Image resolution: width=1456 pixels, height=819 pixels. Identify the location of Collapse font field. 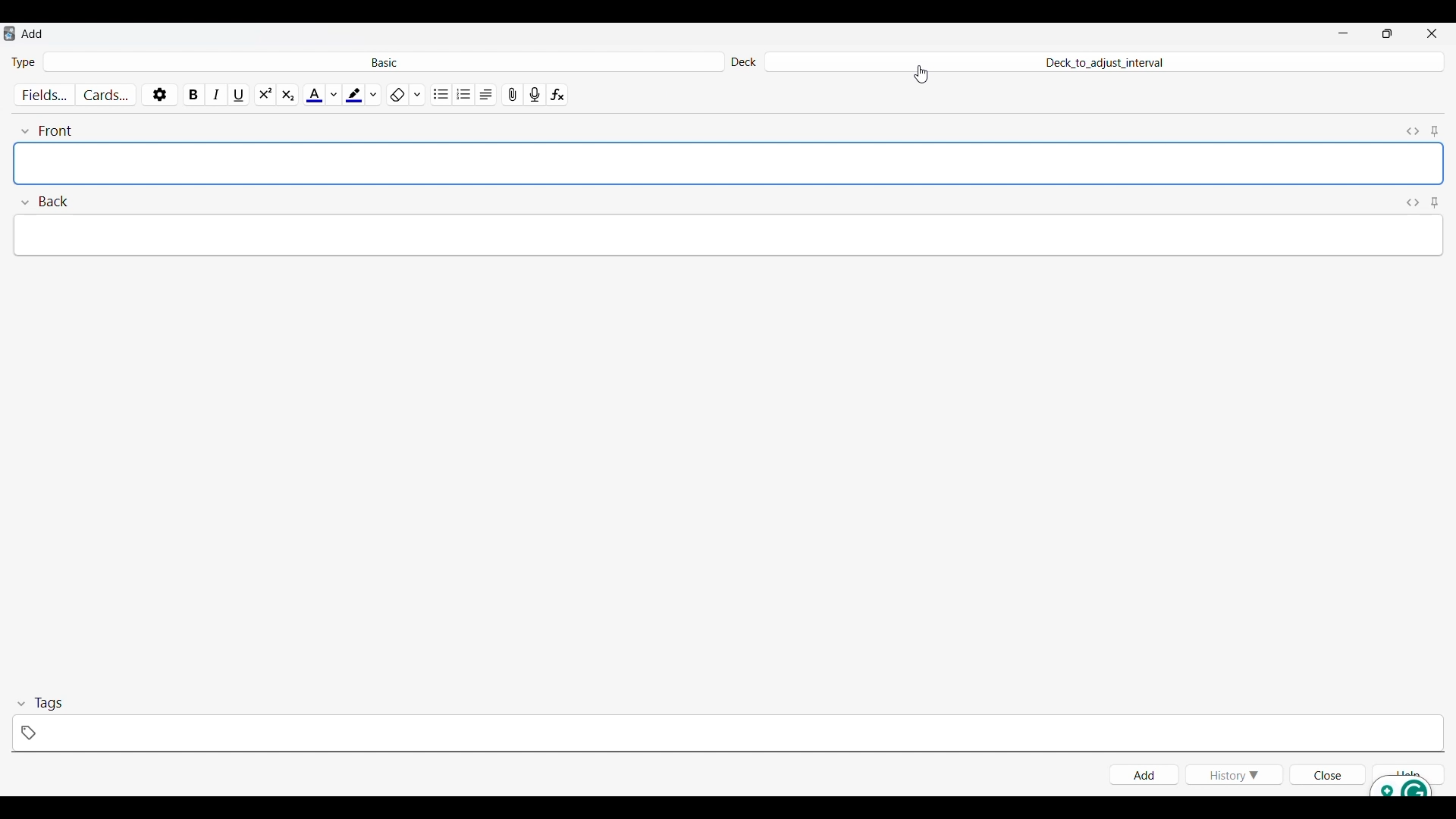
(46, 131).